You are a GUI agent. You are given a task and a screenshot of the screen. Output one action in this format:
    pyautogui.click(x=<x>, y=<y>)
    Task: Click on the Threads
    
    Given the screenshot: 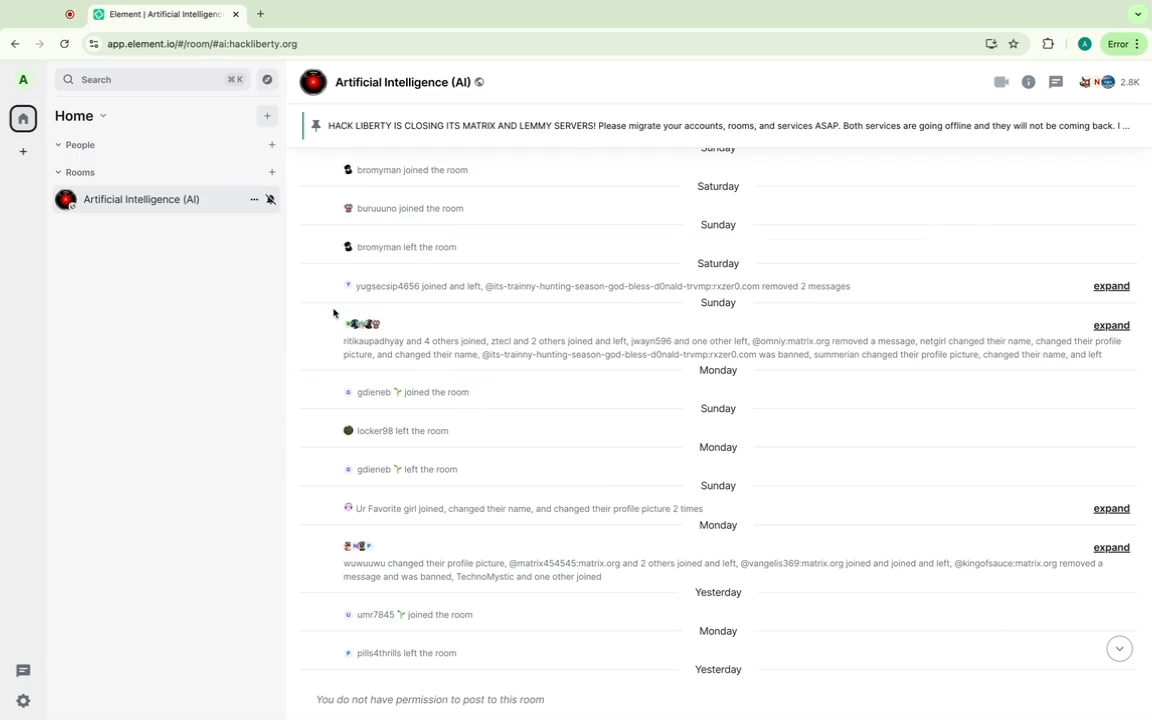 What is the action you would take?
    pyautogui.click(x=23, y=671)
    